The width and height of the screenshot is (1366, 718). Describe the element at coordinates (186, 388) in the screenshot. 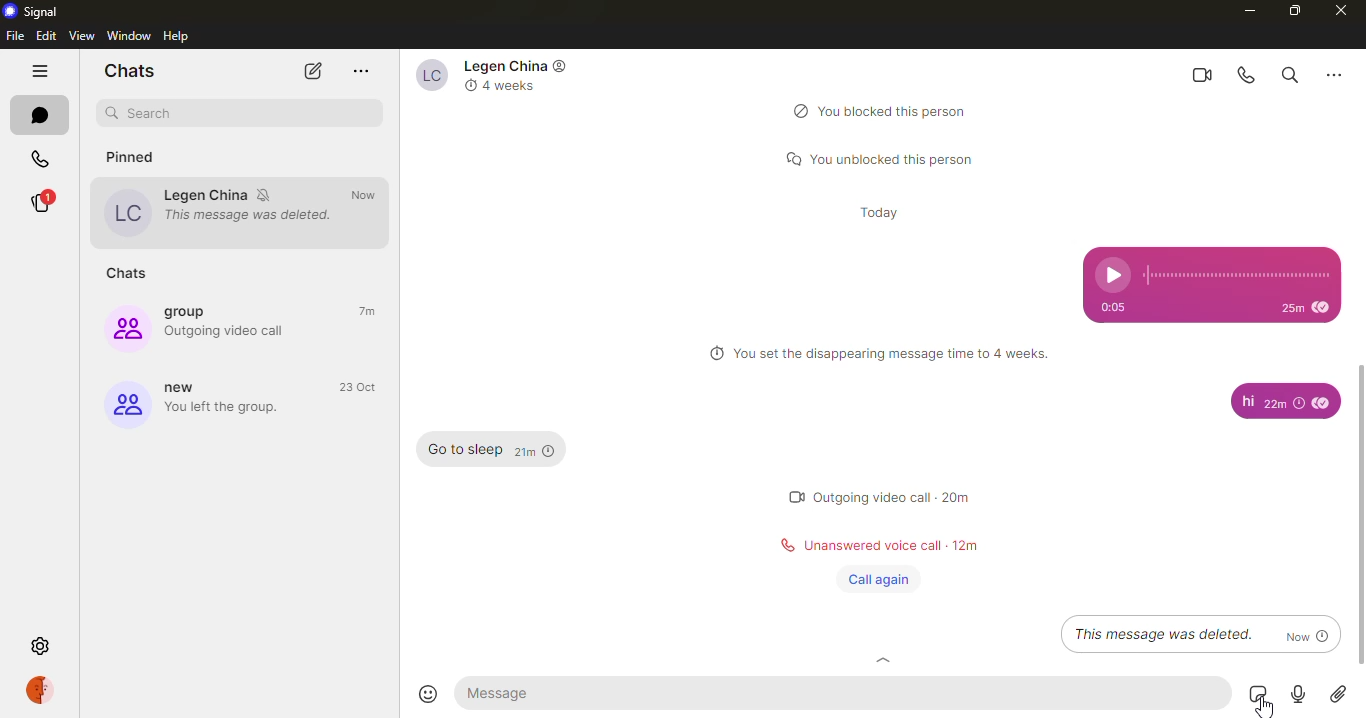

I see `new` at that location.